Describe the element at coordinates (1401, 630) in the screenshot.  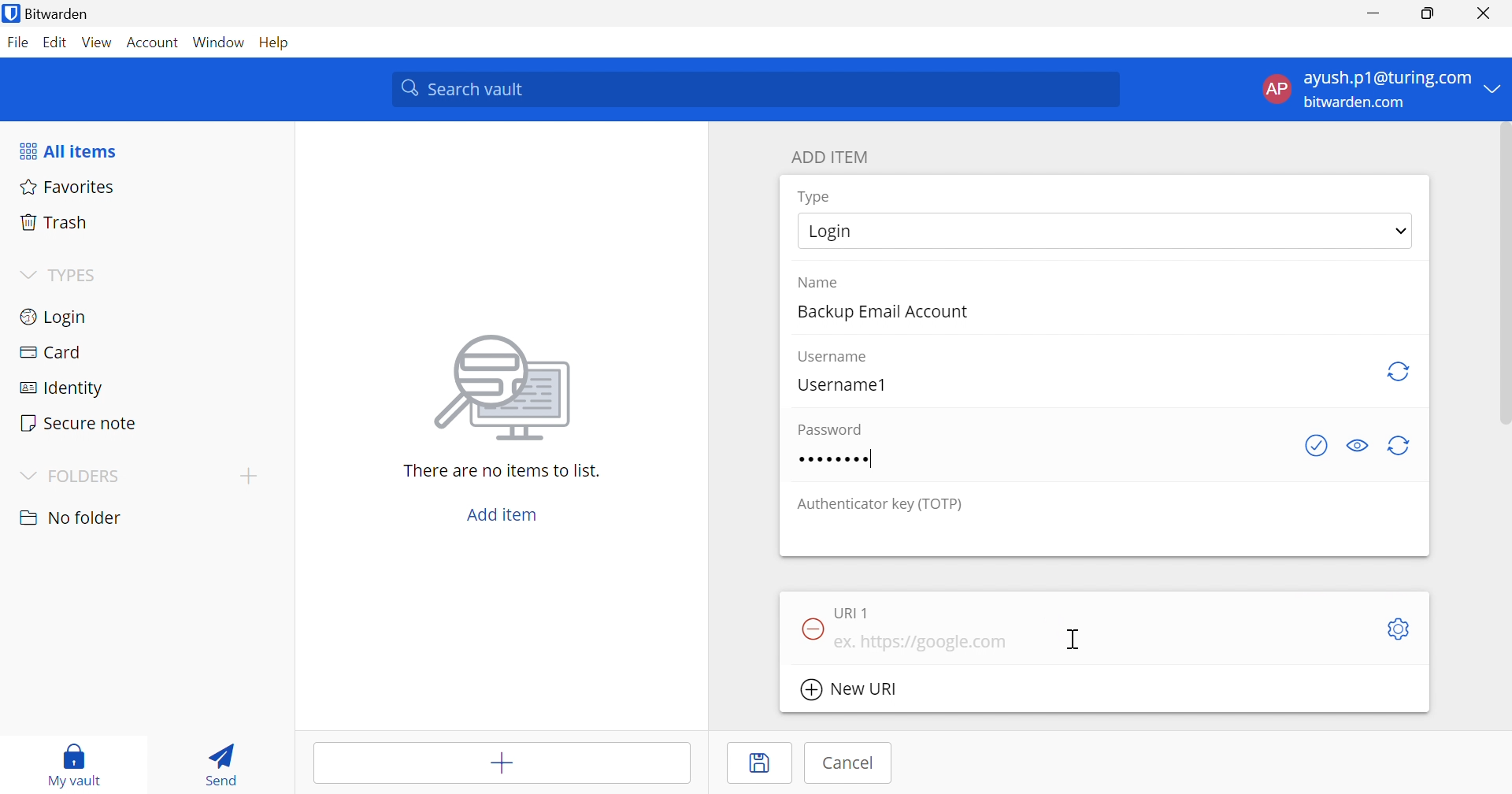
I see `Toggle options` at that location.